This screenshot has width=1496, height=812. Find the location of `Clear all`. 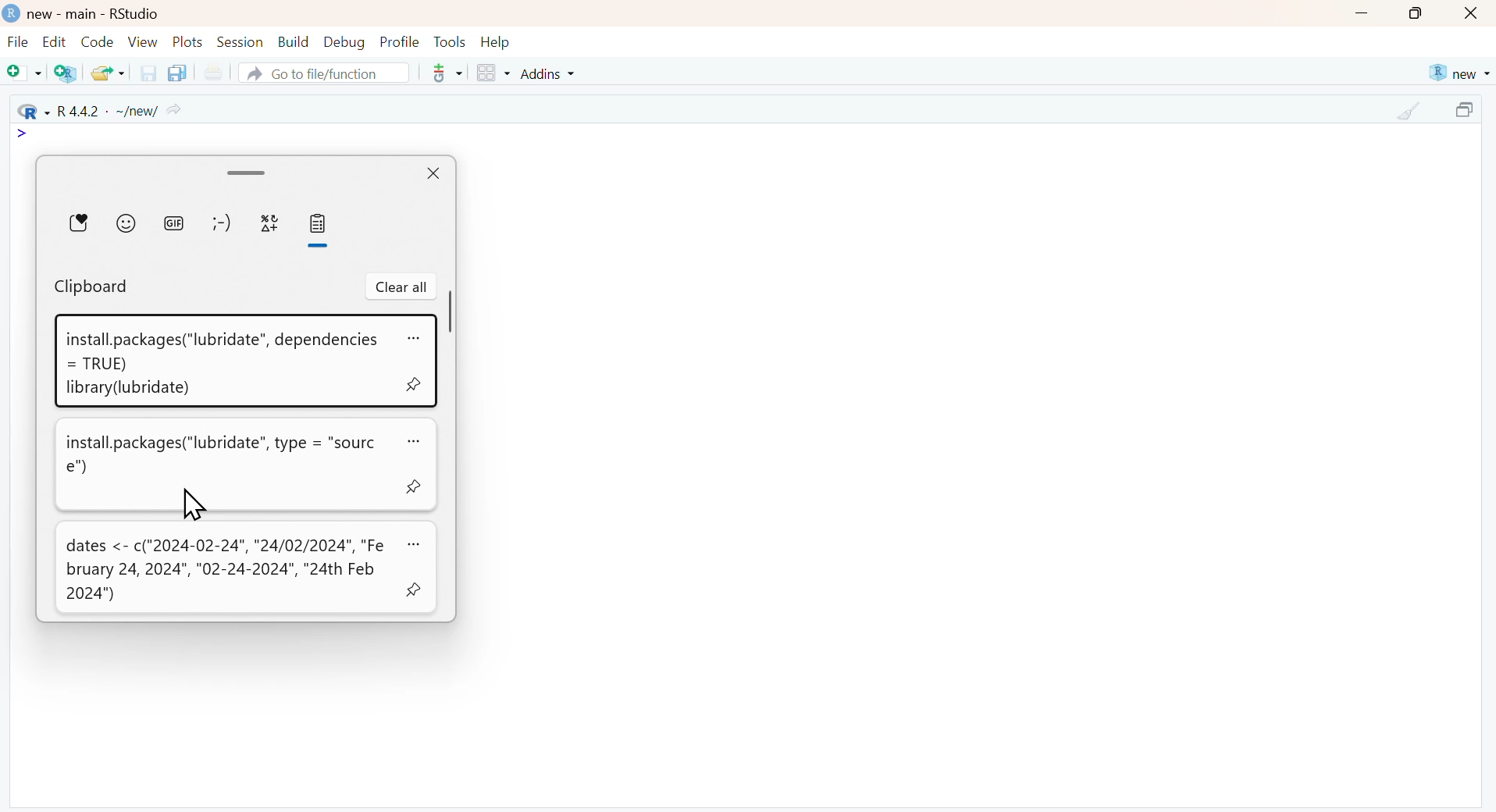

Clear all is located at coordinates (401, 287).